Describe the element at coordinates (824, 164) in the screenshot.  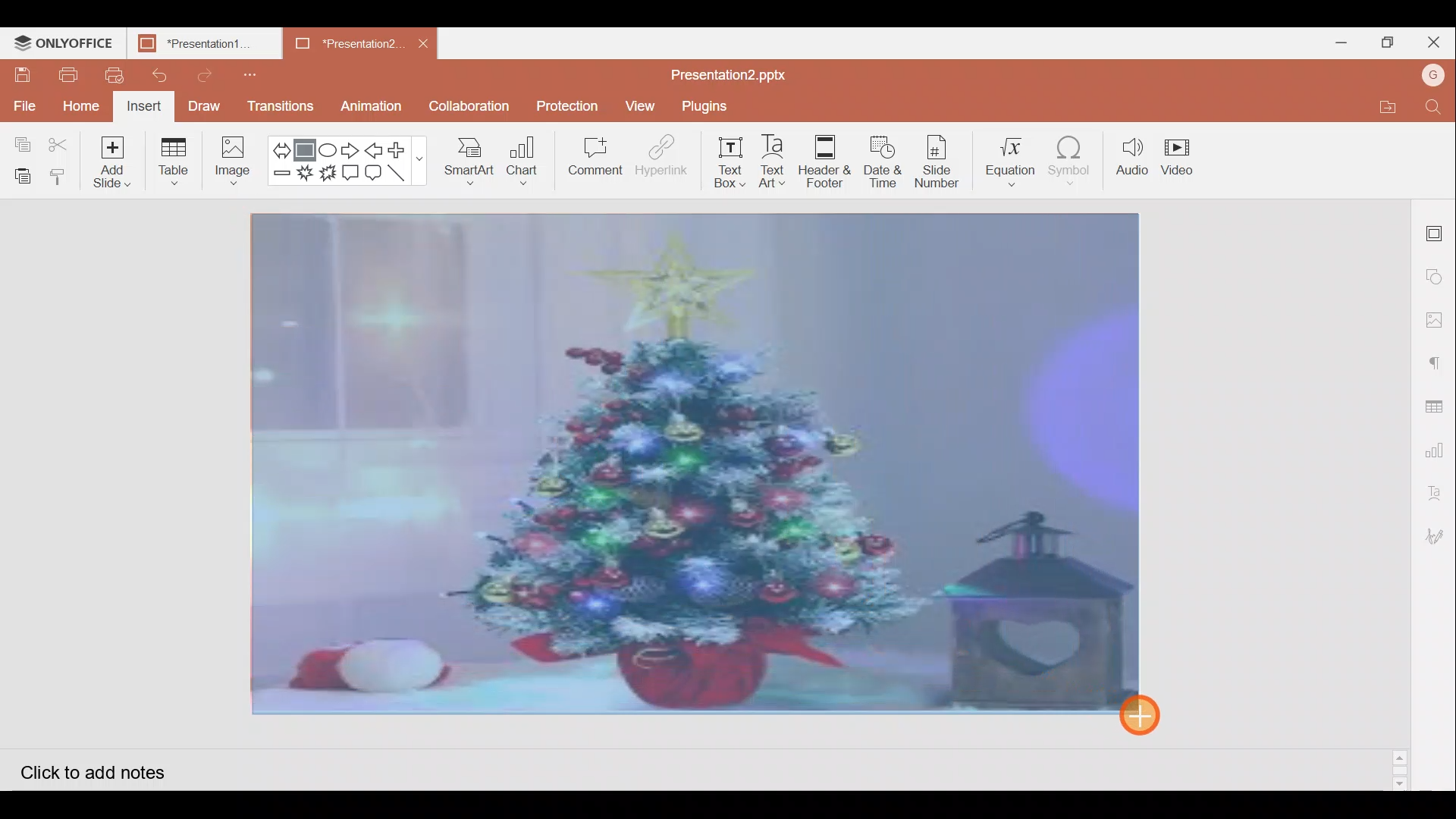
I see `Header & footer` at that location.